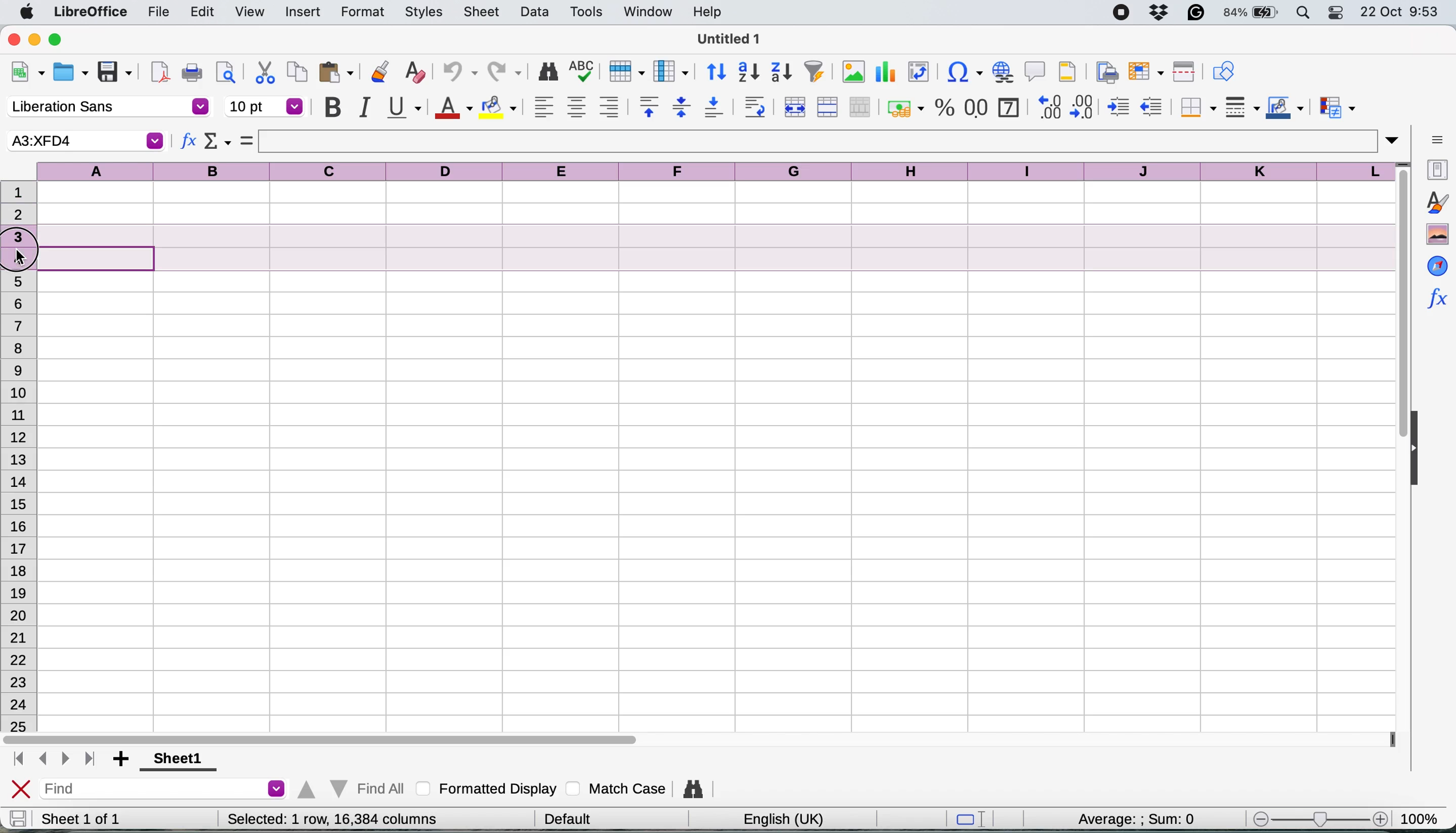  What do you see at coordinates (108, 108) in the screenshot?
I see `font` at bounding box center [108, 108].